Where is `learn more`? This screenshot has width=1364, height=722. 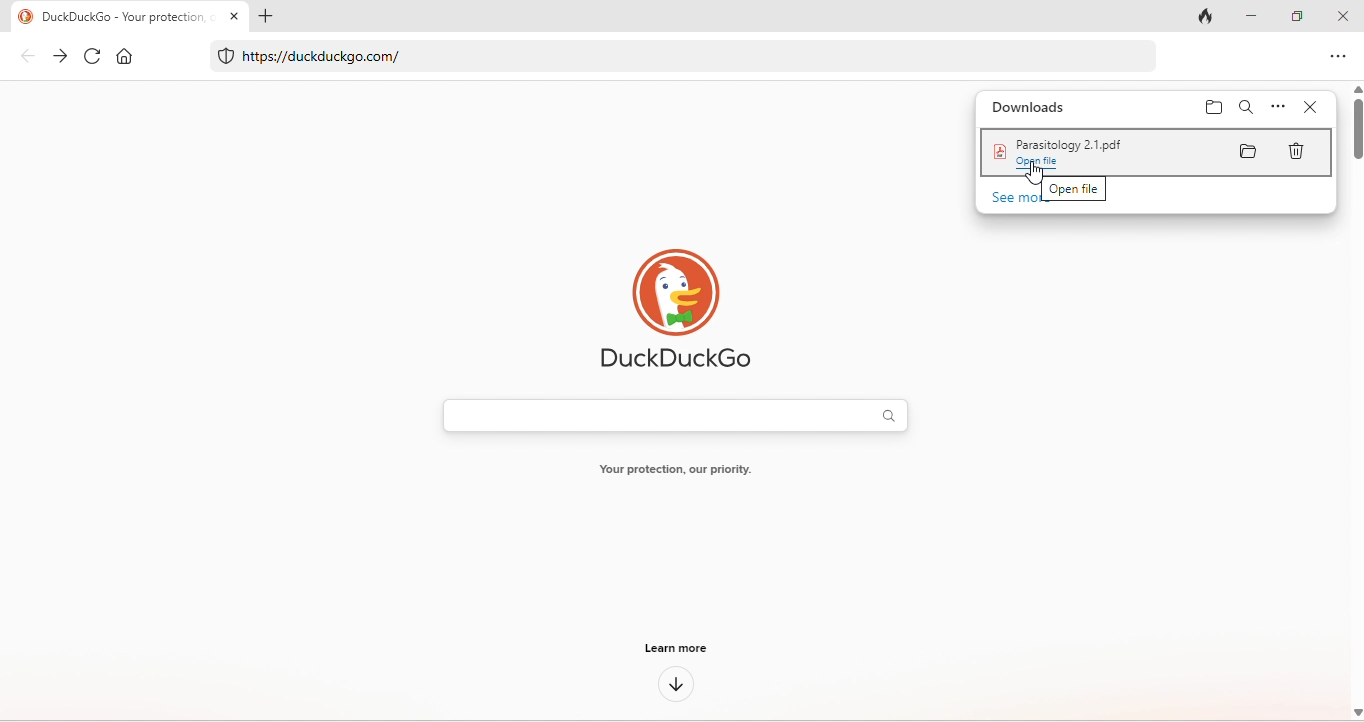
learn more is located at coordinates (677, 647).